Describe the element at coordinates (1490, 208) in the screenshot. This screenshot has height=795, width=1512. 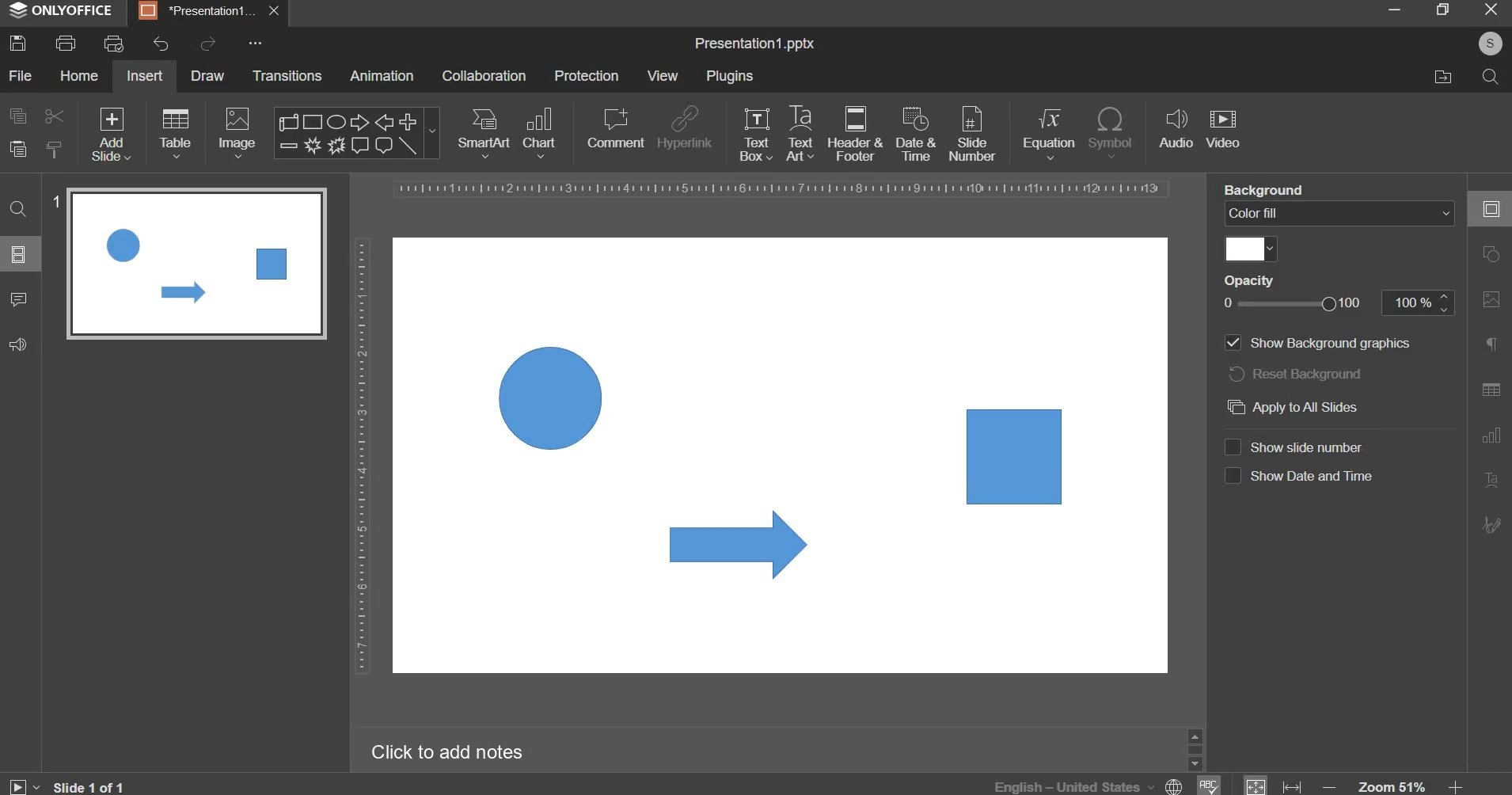
I see `slide setting` at that location.